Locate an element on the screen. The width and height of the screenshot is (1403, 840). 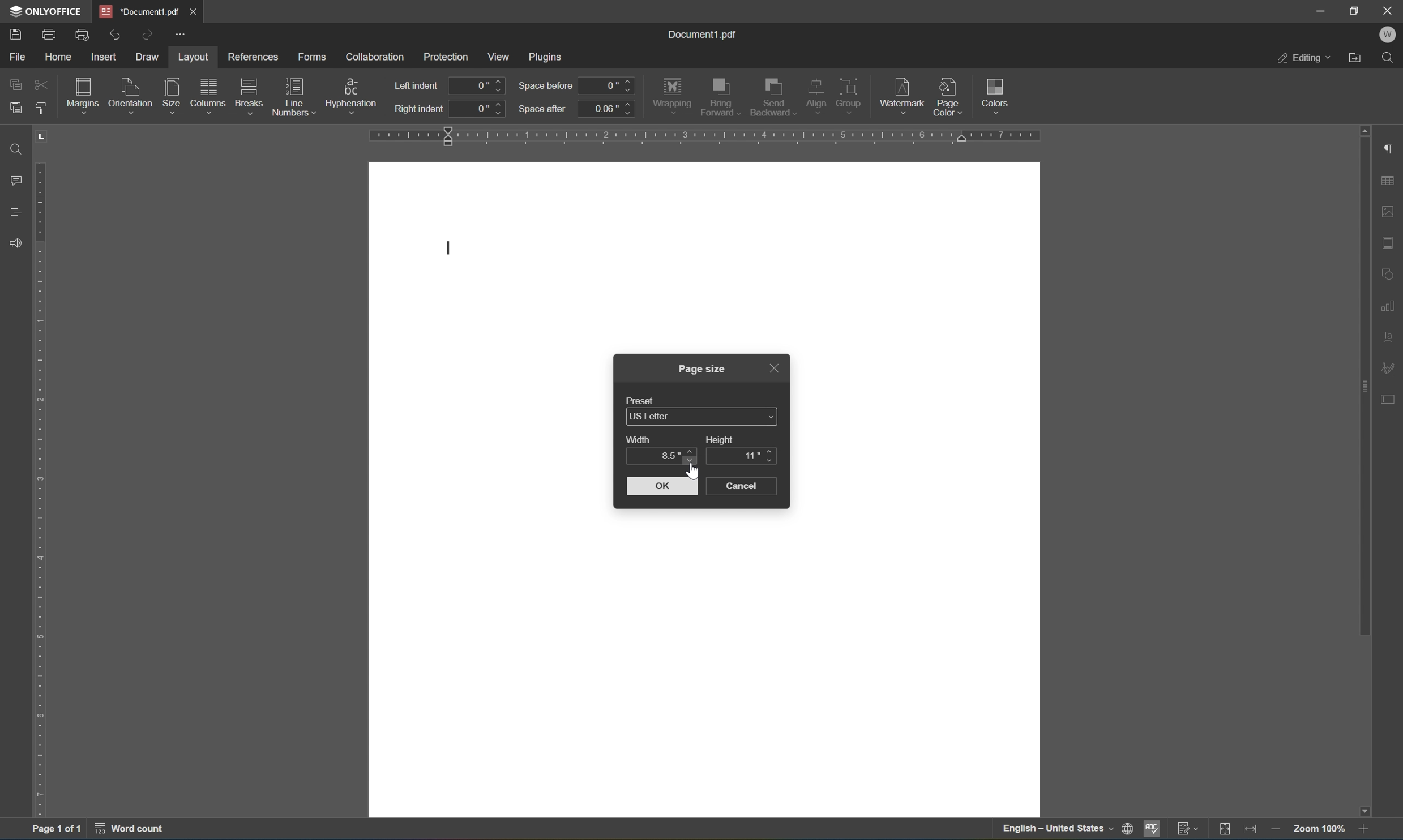
word count is located at coordinates (126, 832).